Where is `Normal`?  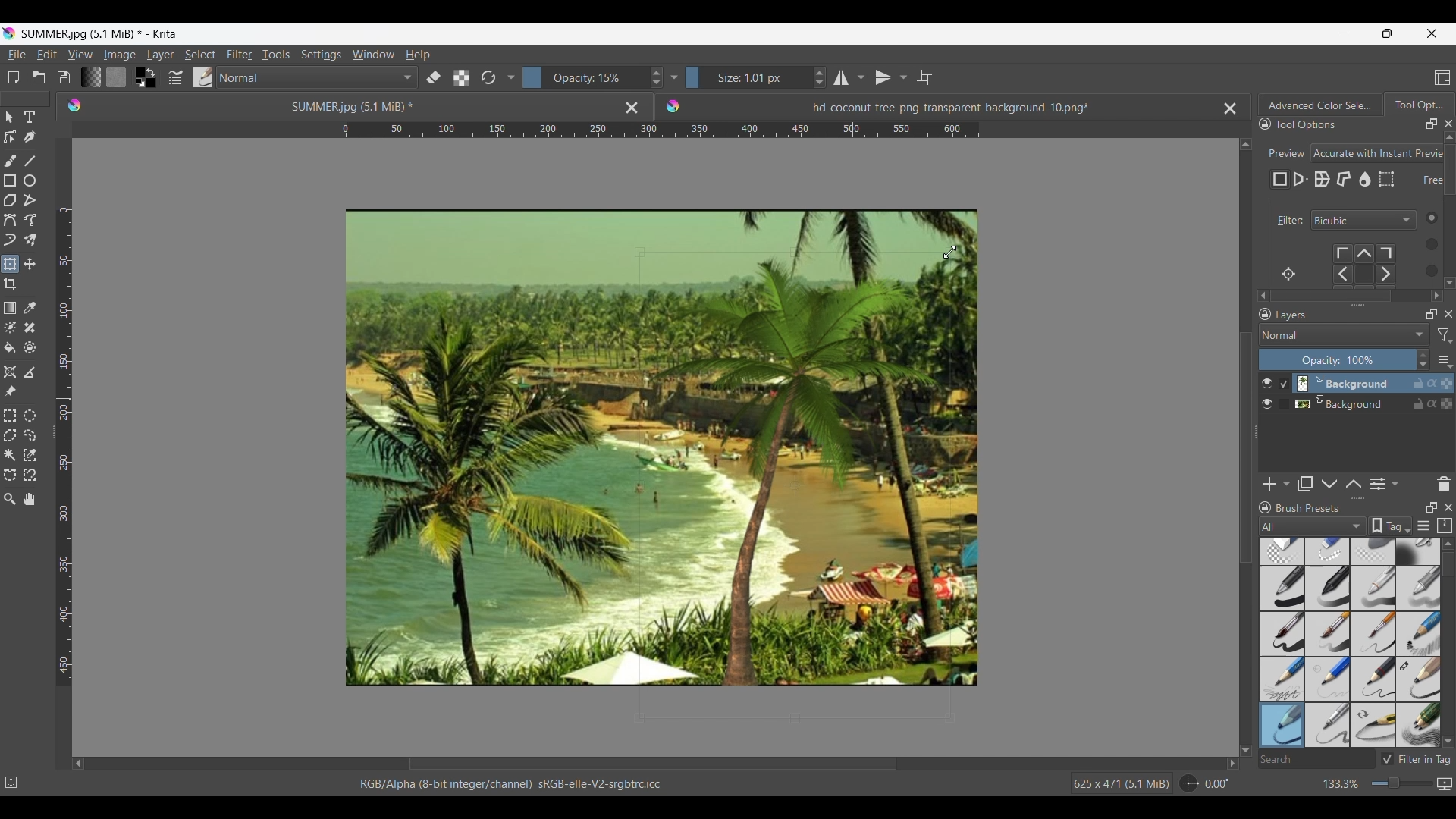
Normal is located at coordinates (317, 77).